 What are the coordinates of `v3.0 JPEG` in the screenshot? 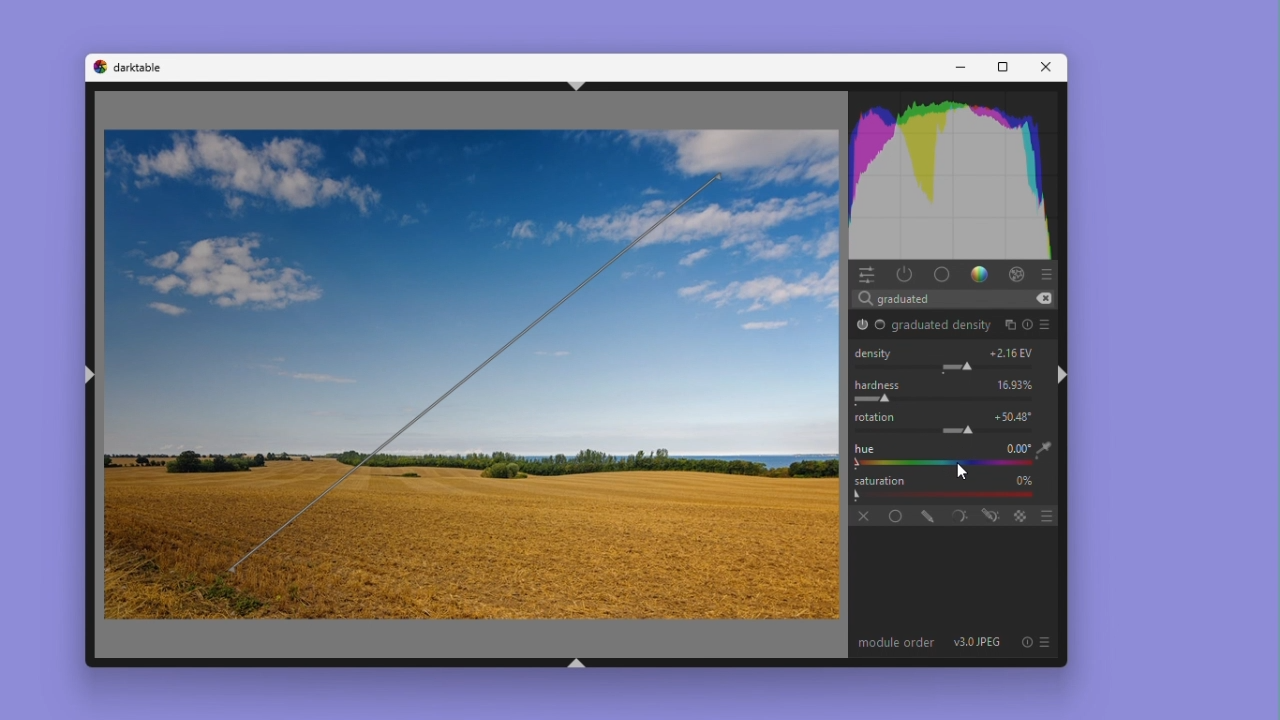 It's located at (979, 643).